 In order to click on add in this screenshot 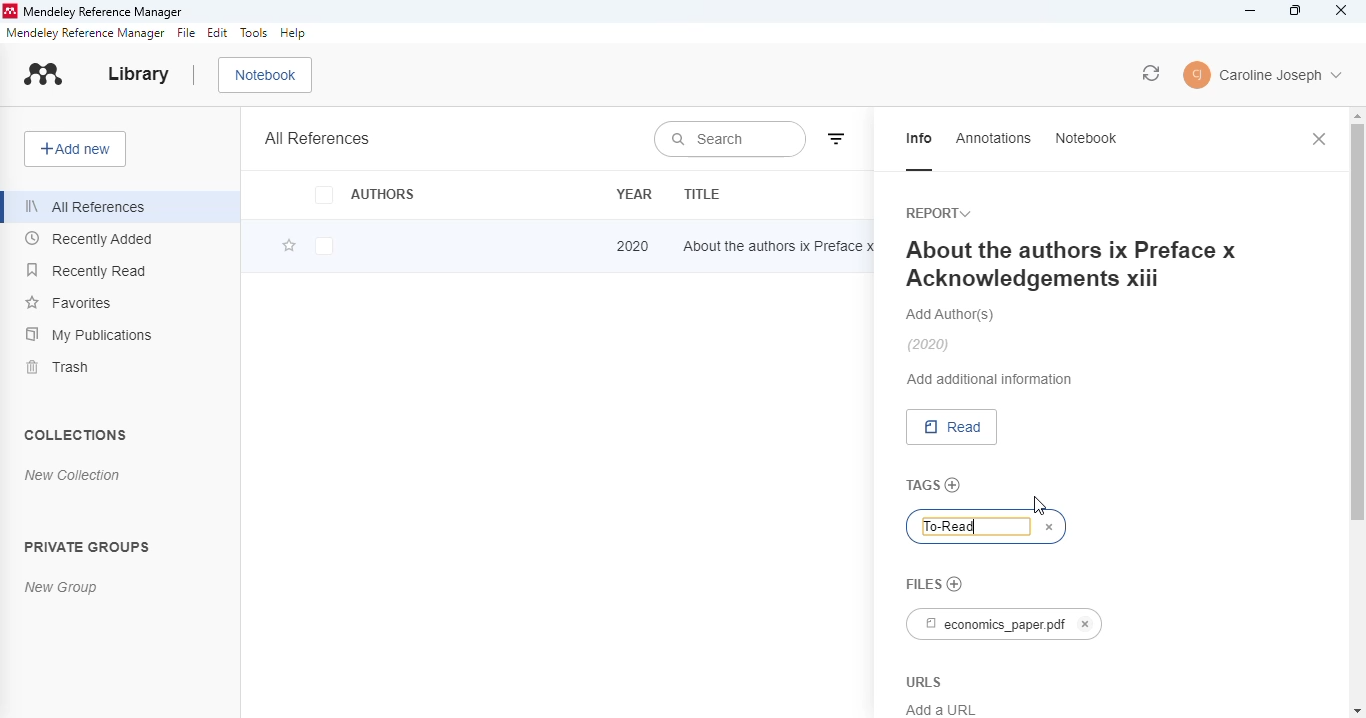, I will do `click(954, 485)`.